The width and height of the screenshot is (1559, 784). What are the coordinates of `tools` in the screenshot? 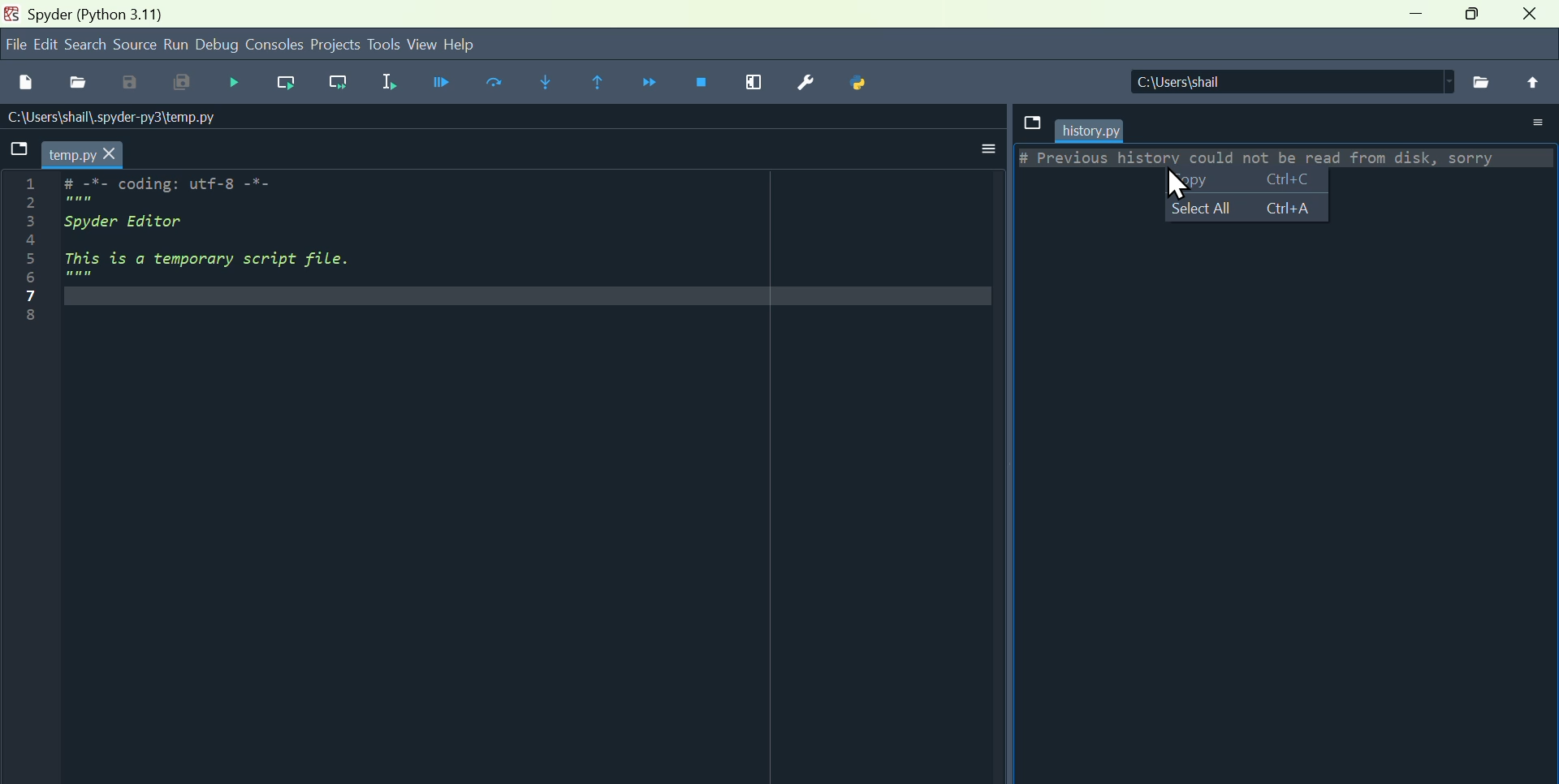 It's located at (385, 45).